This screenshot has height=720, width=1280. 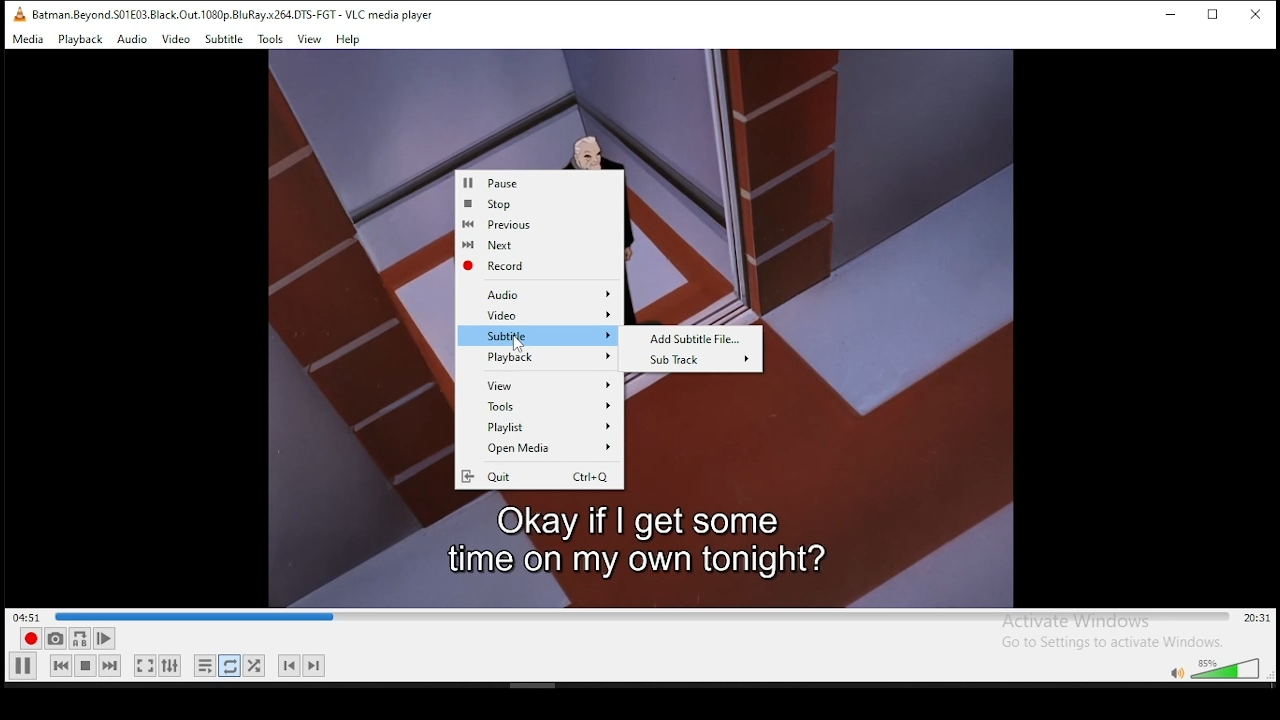 What do you see at coordinates (699, 360) in the screenshot?
I see `Sub Track ` at bounding box center [699, 360].